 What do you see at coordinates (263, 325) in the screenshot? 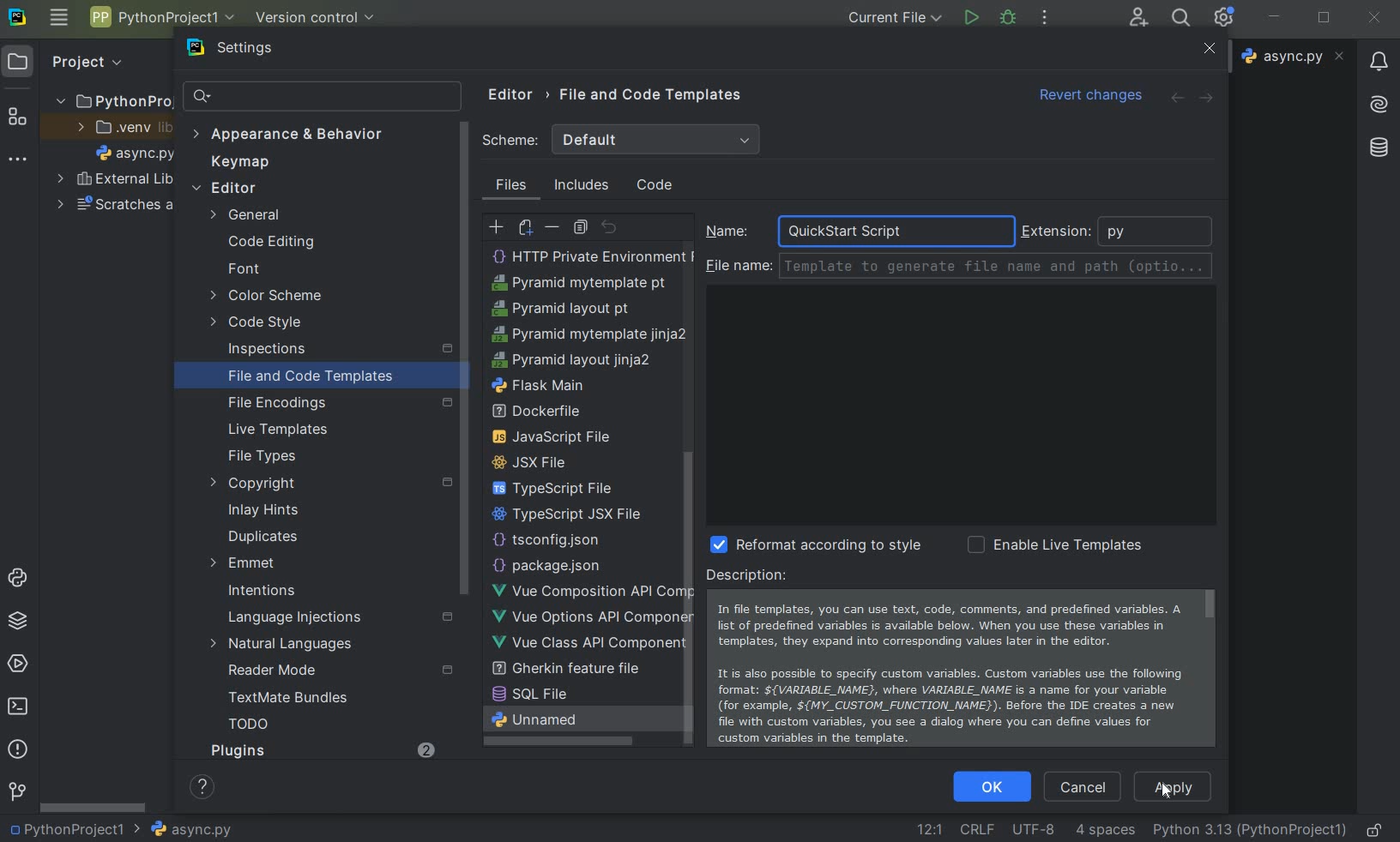
I see `code style` at bounding box center [263, 325].